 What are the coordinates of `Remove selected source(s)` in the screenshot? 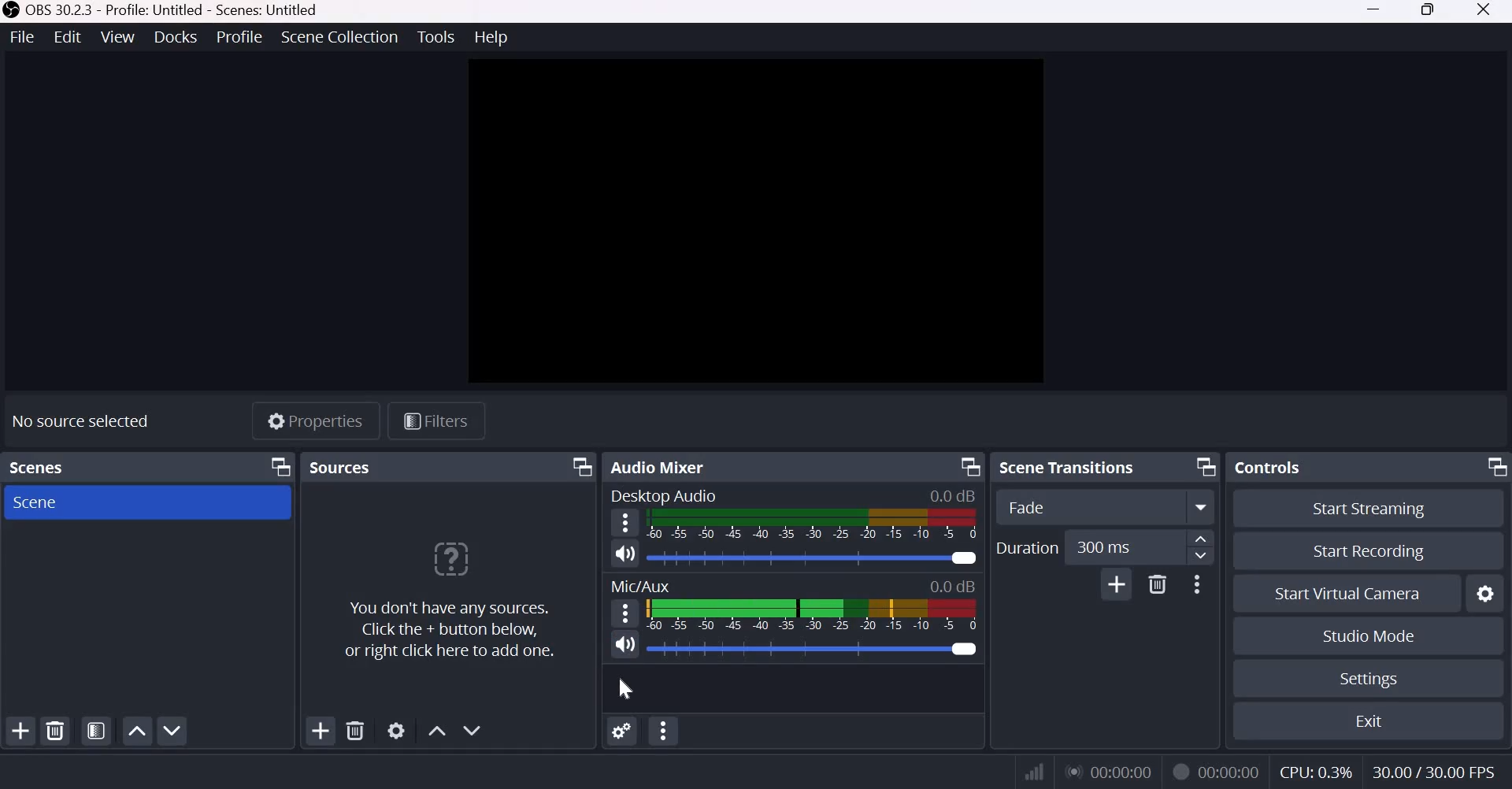 It's located at (357, 731).